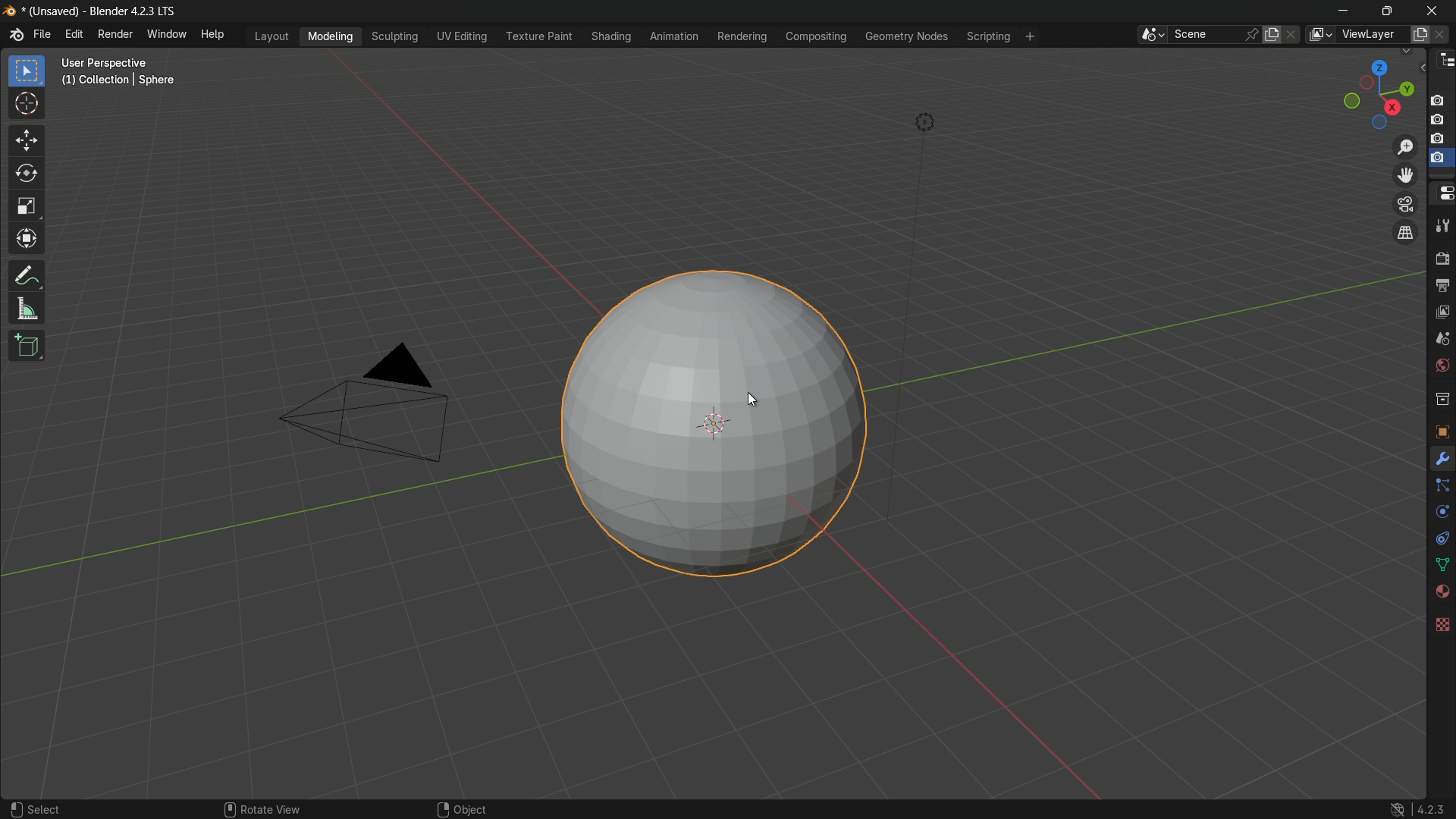 Image resolution: width=1456 pixels, height=819 pixels. Describe the element at coordinates (1370, 95) in the screenshot. I see `rotate or preset viewpoint` at that location.